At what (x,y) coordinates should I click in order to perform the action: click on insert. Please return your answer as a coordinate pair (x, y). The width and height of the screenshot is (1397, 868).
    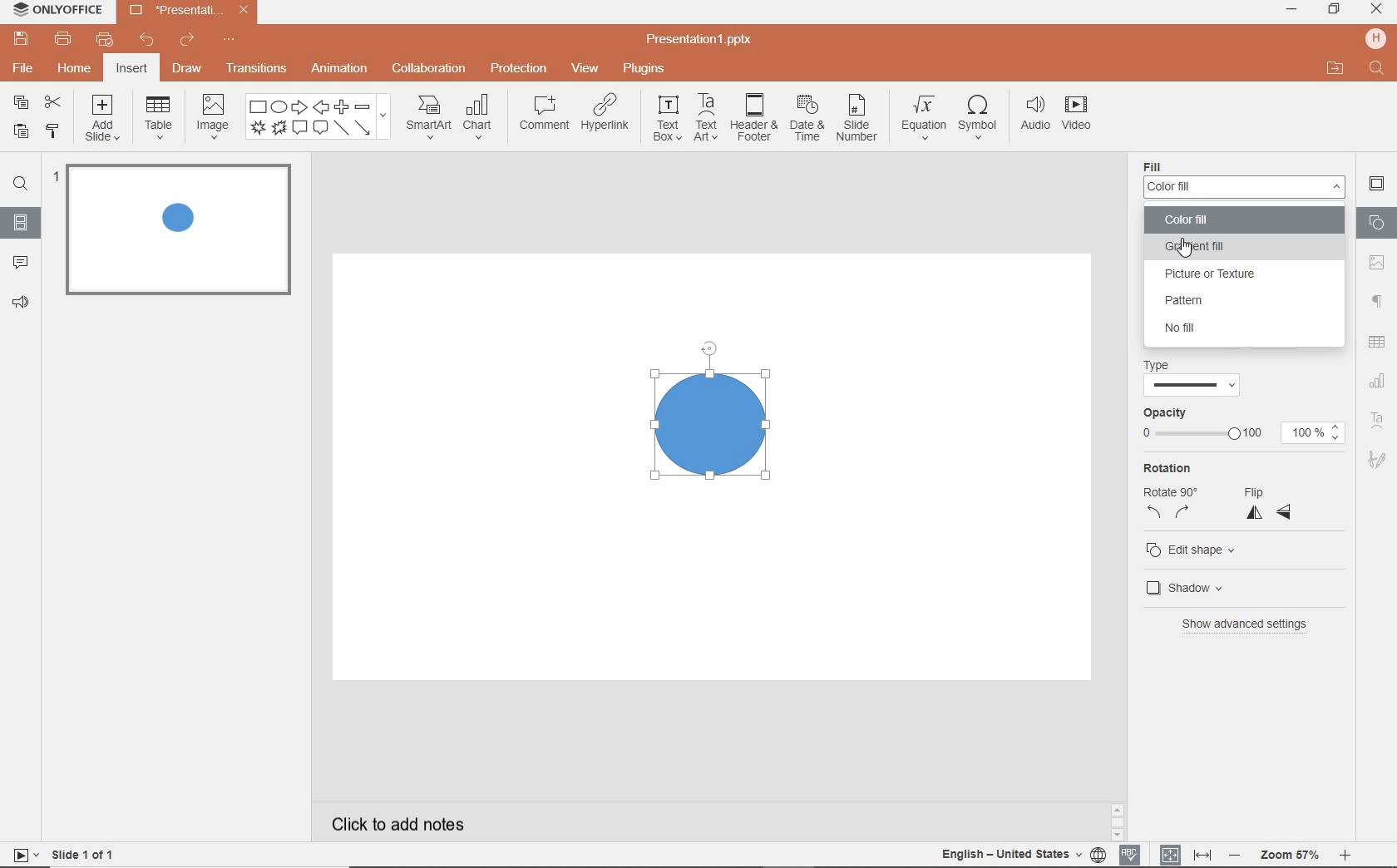
    Looking at the image, I should click on (131, 69).